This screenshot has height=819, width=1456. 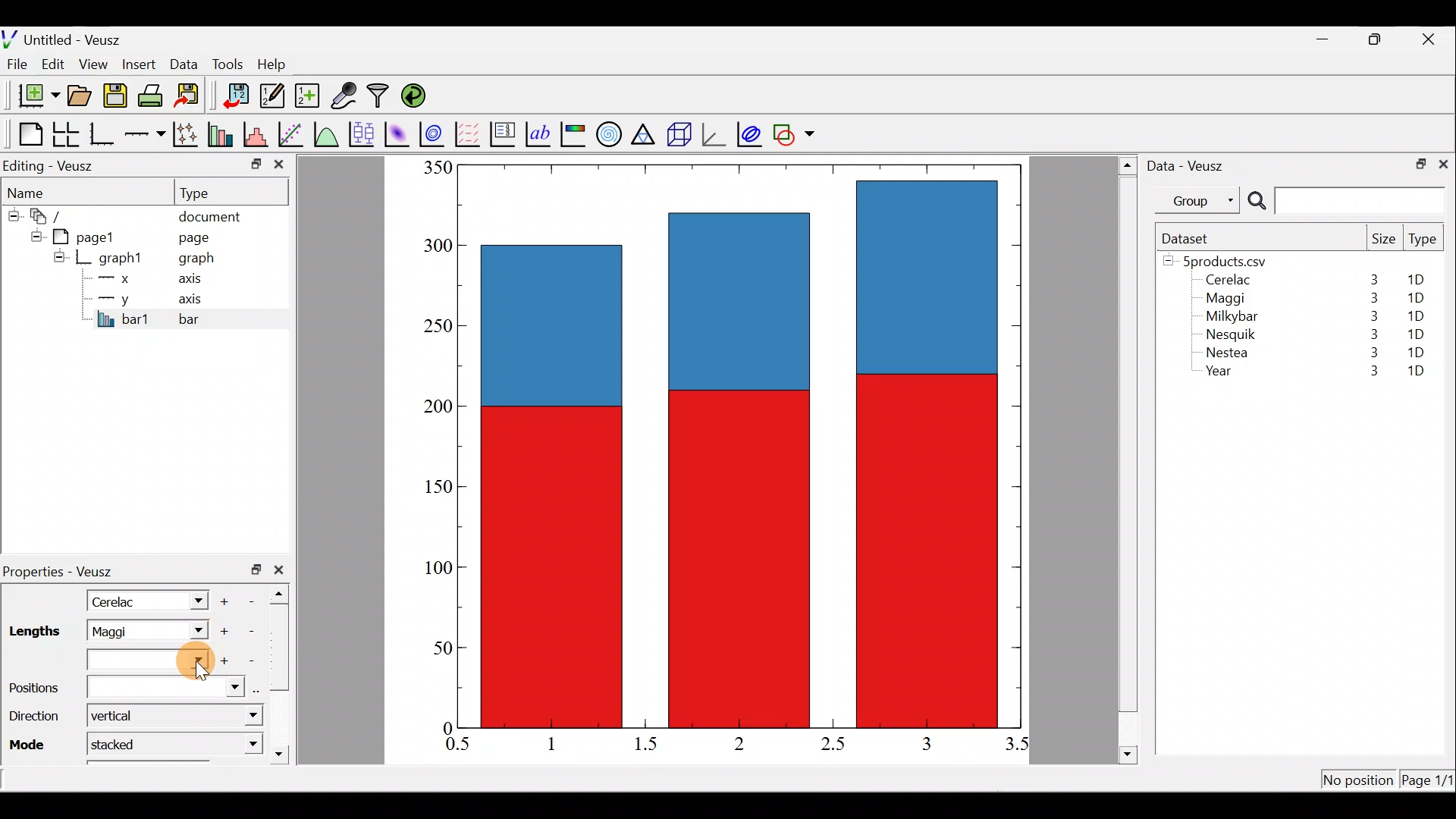 I want to click on Plot bar charts, so click(x=222, y=133).